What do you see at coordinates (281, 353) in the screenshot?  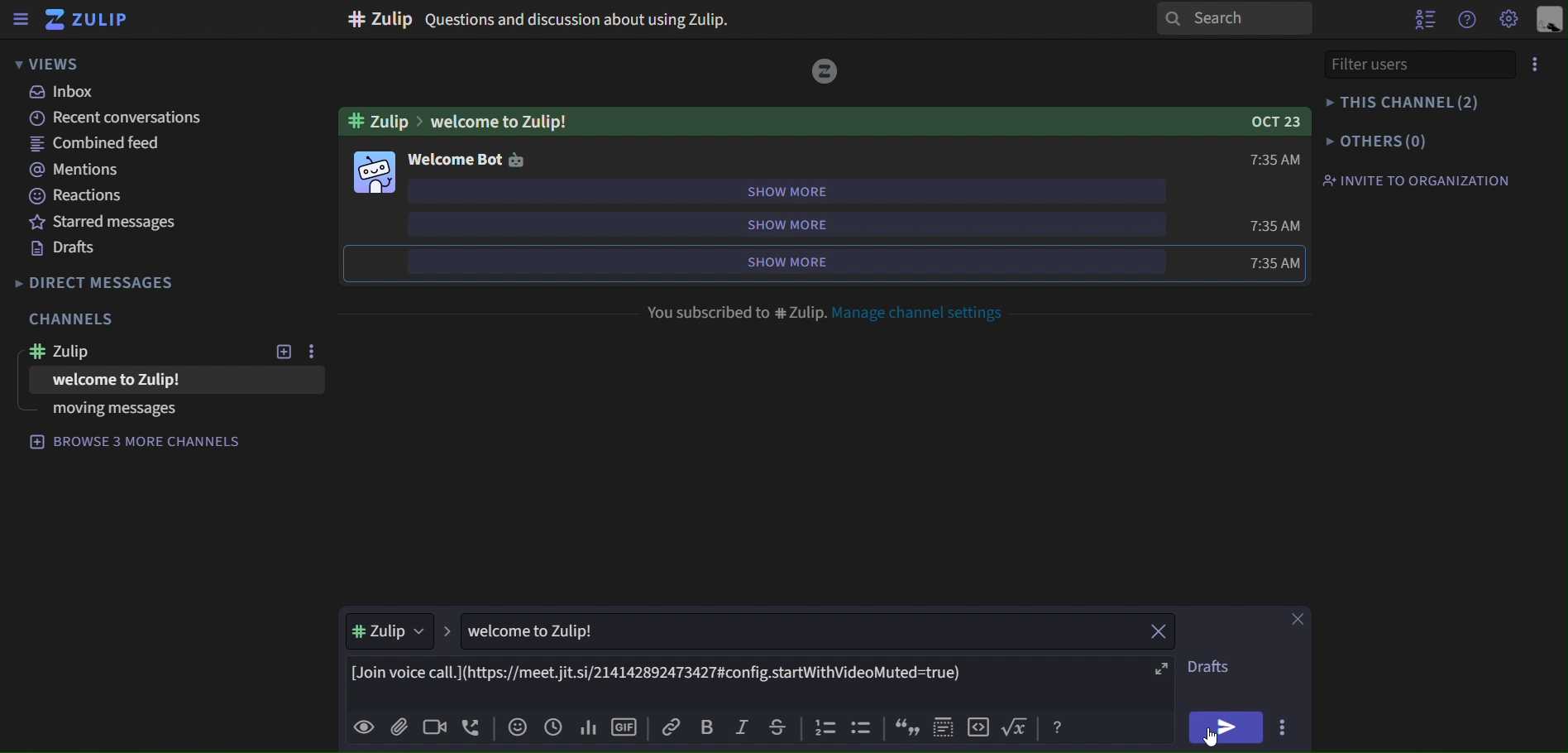 I see `new topic` at bounding box center [281, 353].